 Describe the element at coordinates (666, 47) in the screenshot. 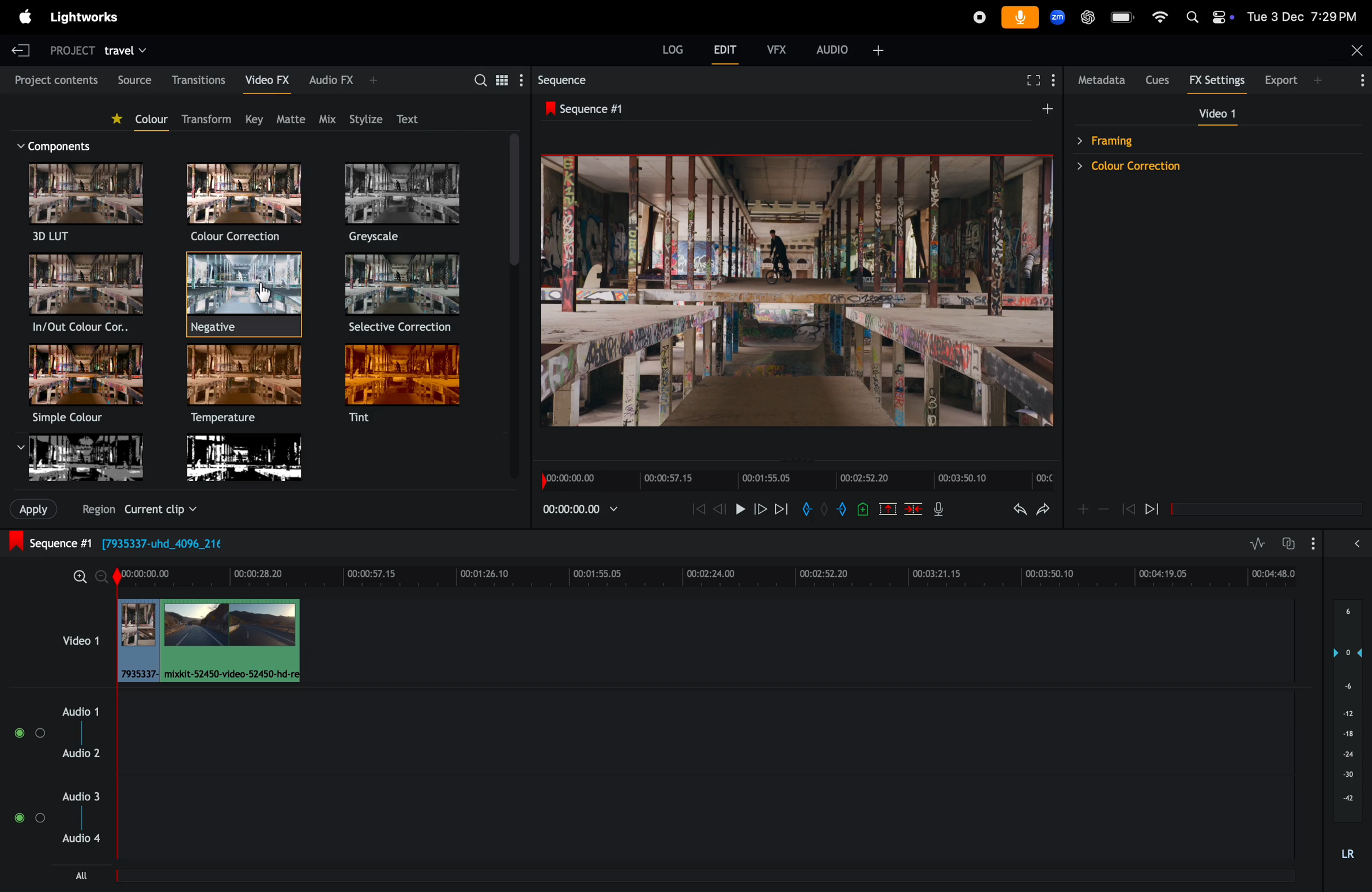

I see `Log` at that location.